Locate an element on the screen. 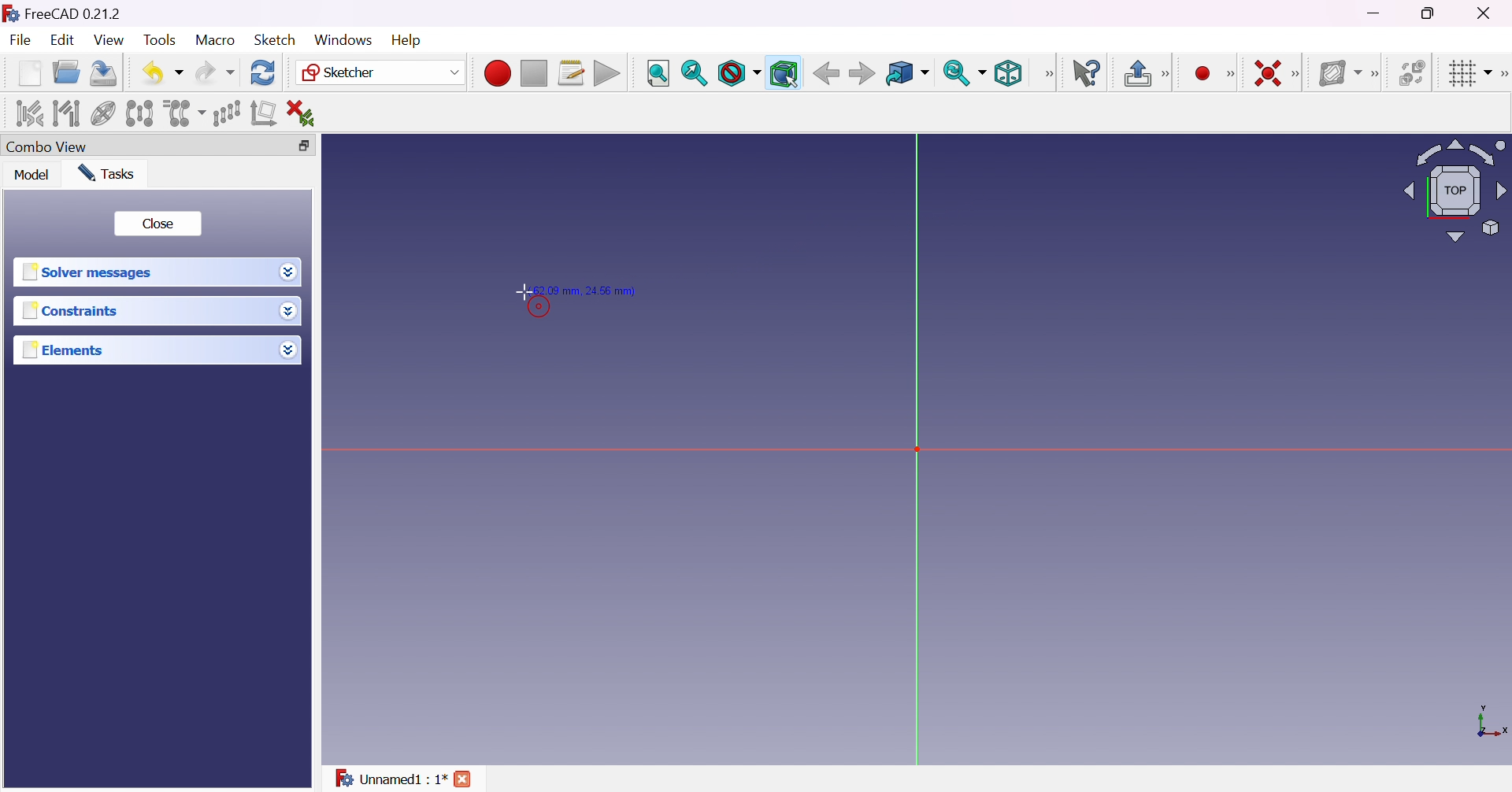  Unnamed : 1* is located at coordinates (390, 775).